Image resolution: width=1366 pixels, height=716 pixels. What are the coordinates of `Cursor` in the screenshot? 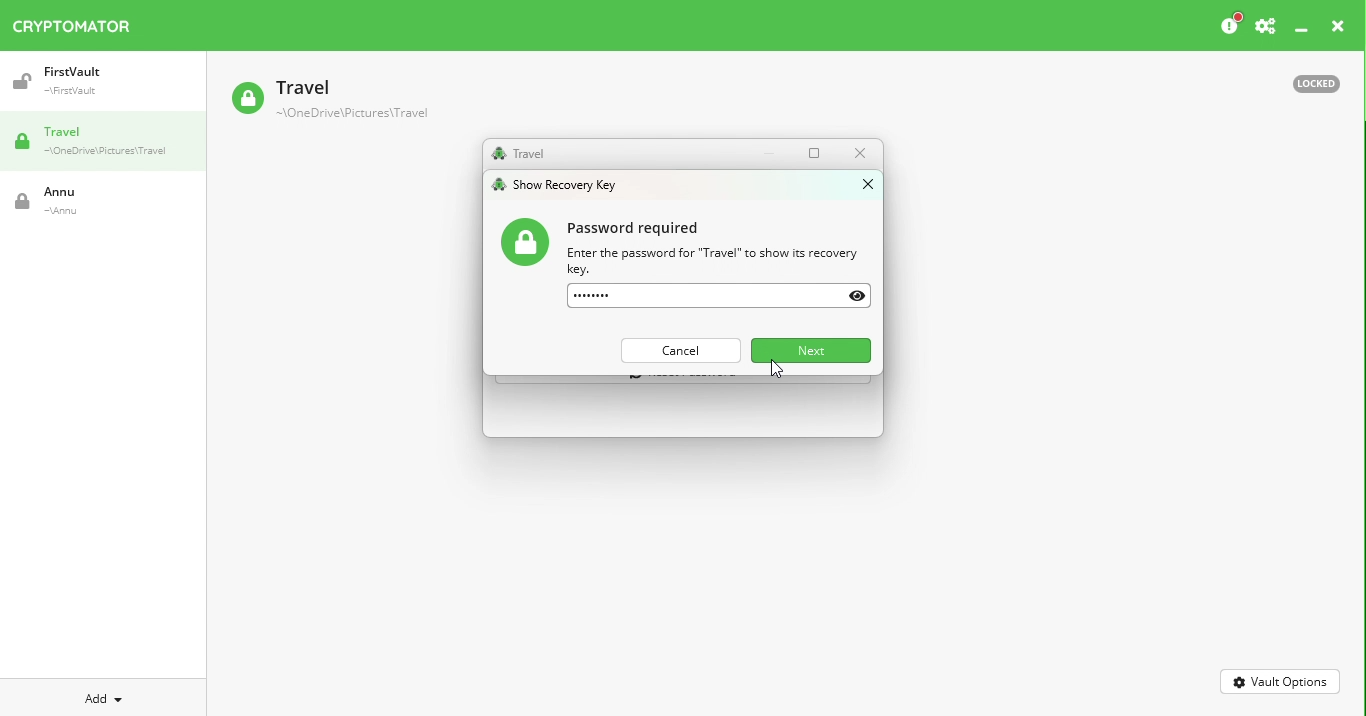 It's located at (780, 370).